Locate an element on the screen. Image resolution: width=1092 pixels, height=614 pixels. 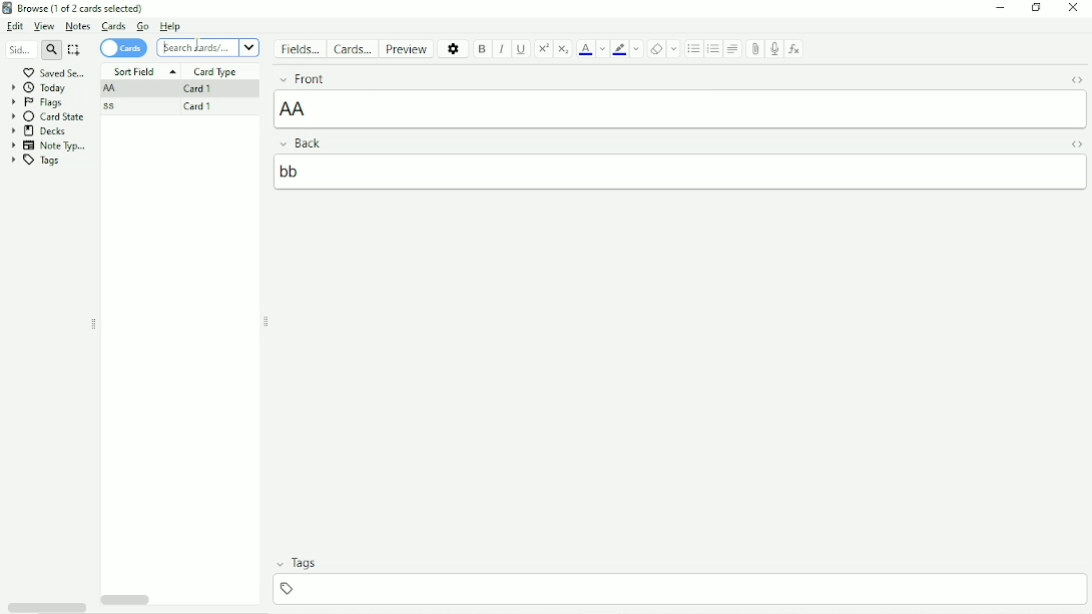
Help is located at coordinates (171, 27).